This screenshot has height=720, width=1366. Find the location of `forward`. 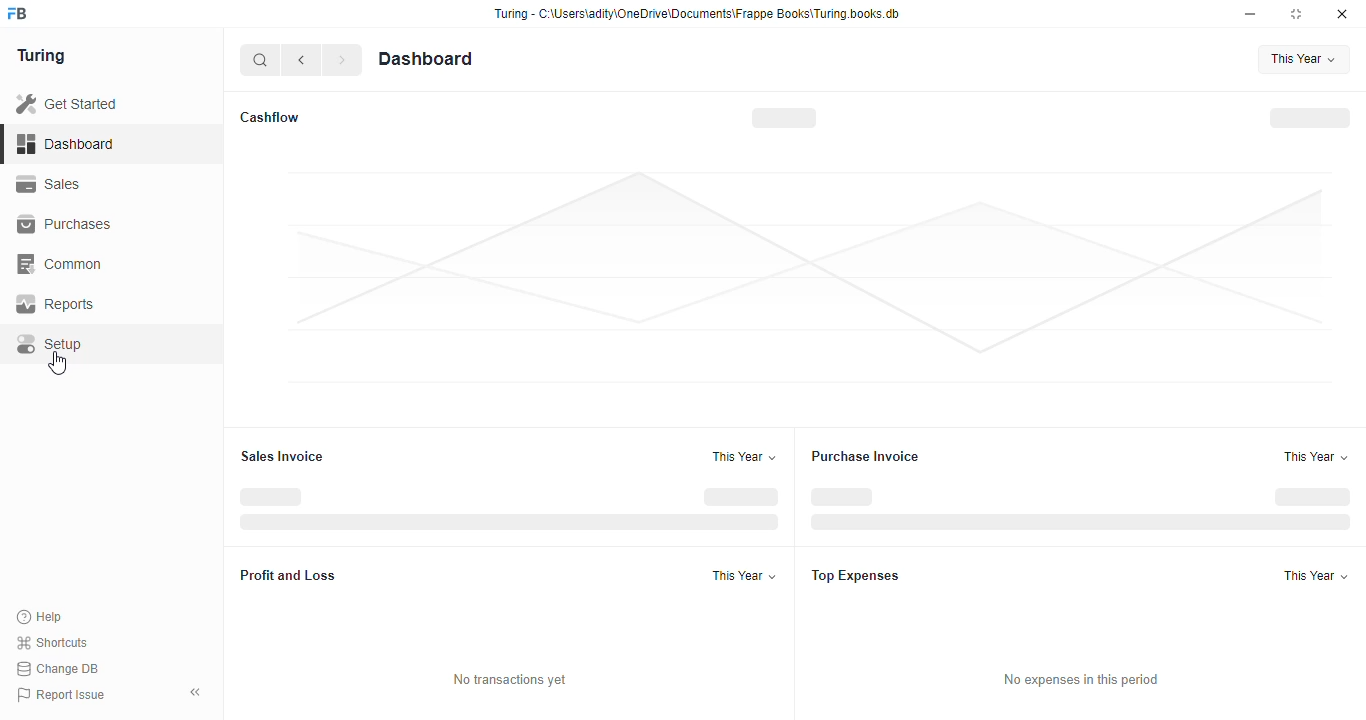

forward is located at coordinates (343, 59).